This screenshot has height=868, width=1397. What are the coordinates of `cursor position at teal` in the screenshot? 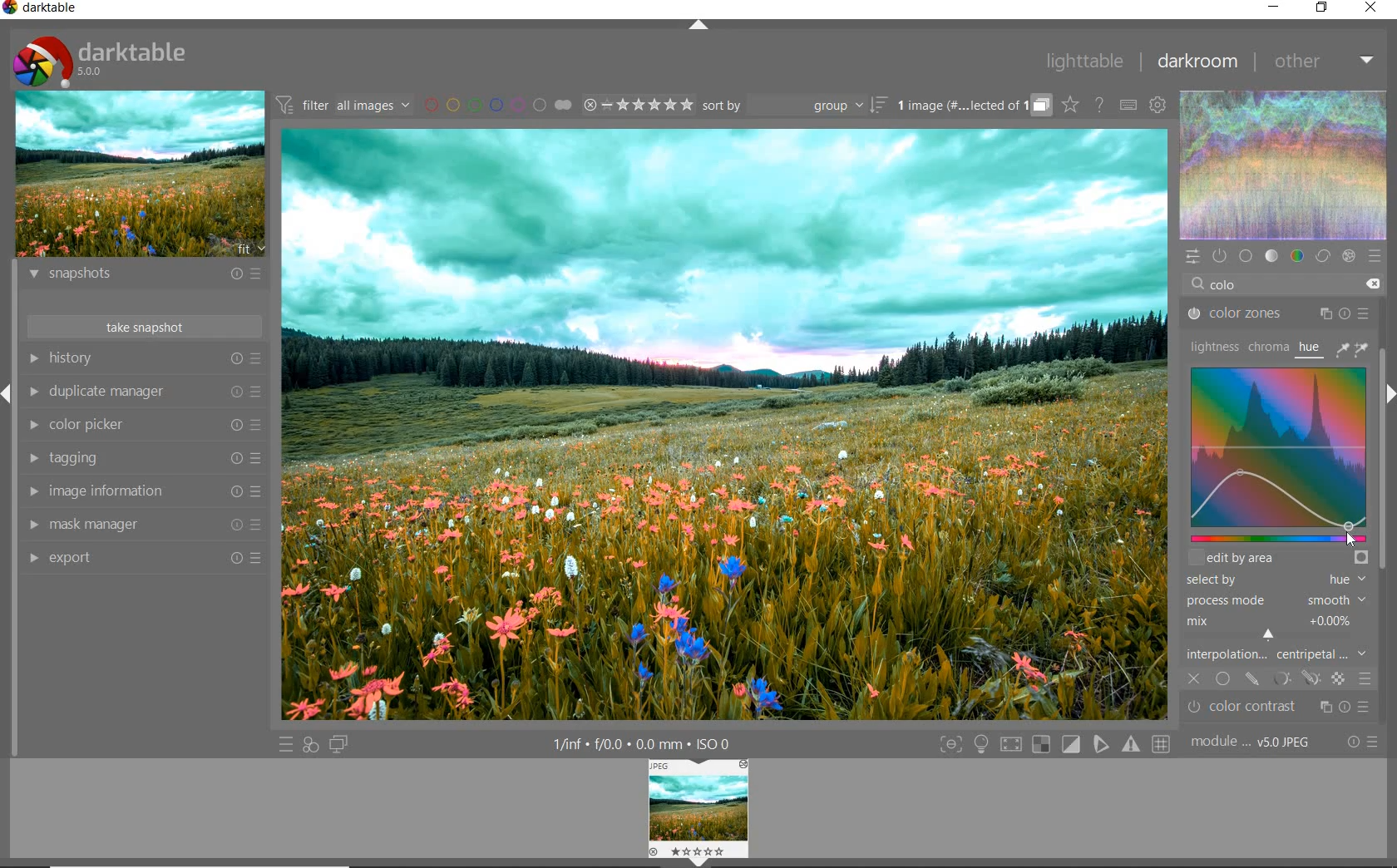 It's located at (1352, 532).